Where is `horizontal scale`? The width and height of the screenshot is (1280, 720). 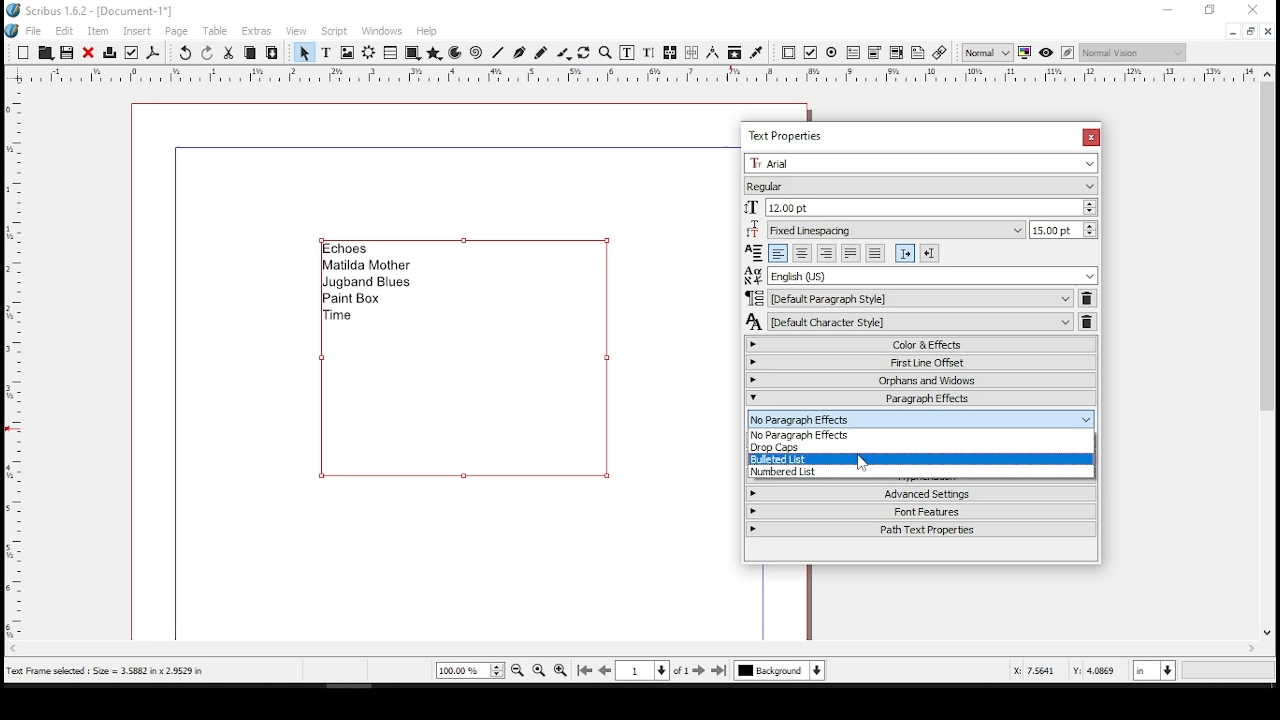
horizontal scale is located at coordinates (650, 73).